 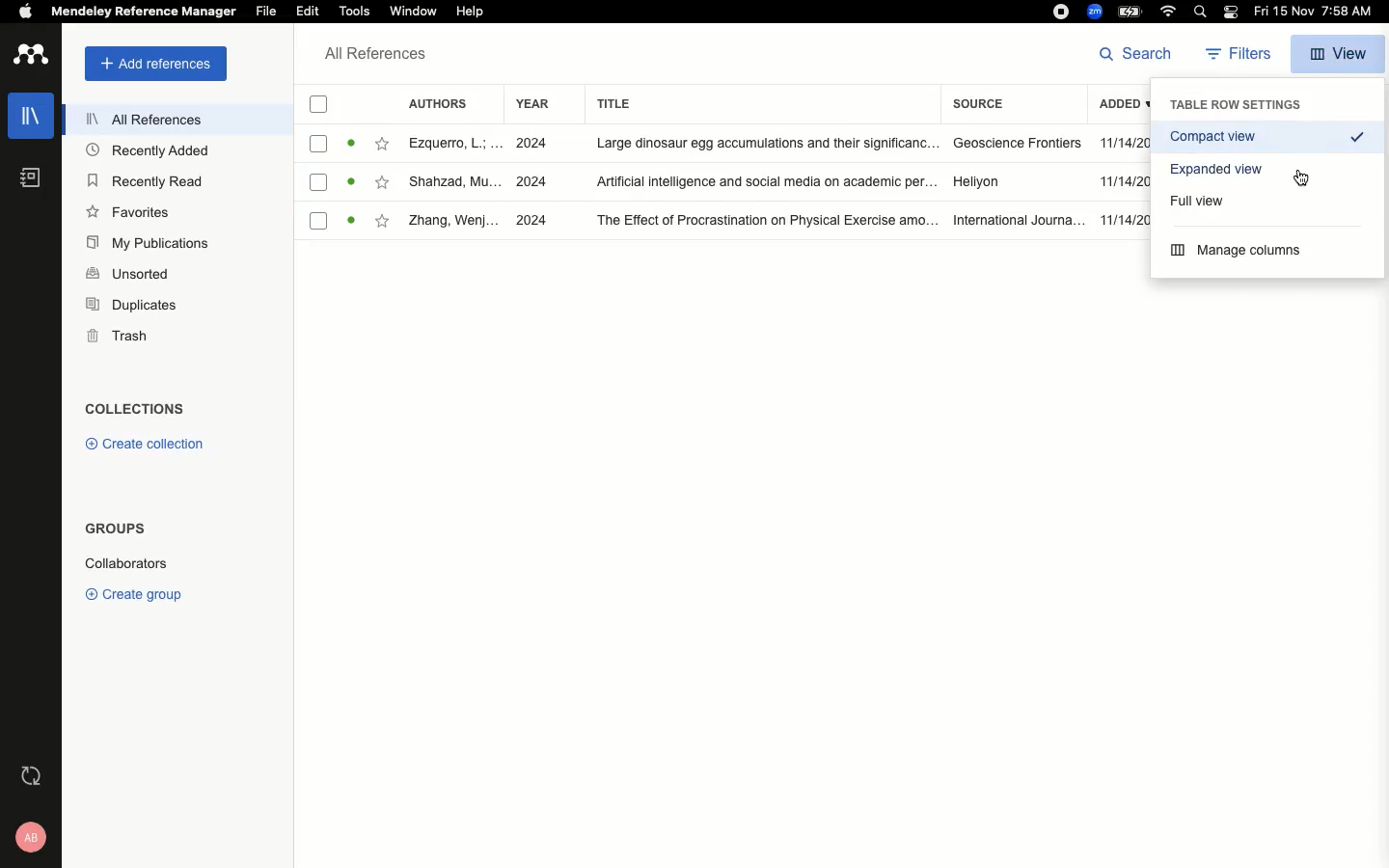 What do you see at coordinates (1013, 220) in the screenshot?
I see `International journal` at bounding box center [1013, 220].